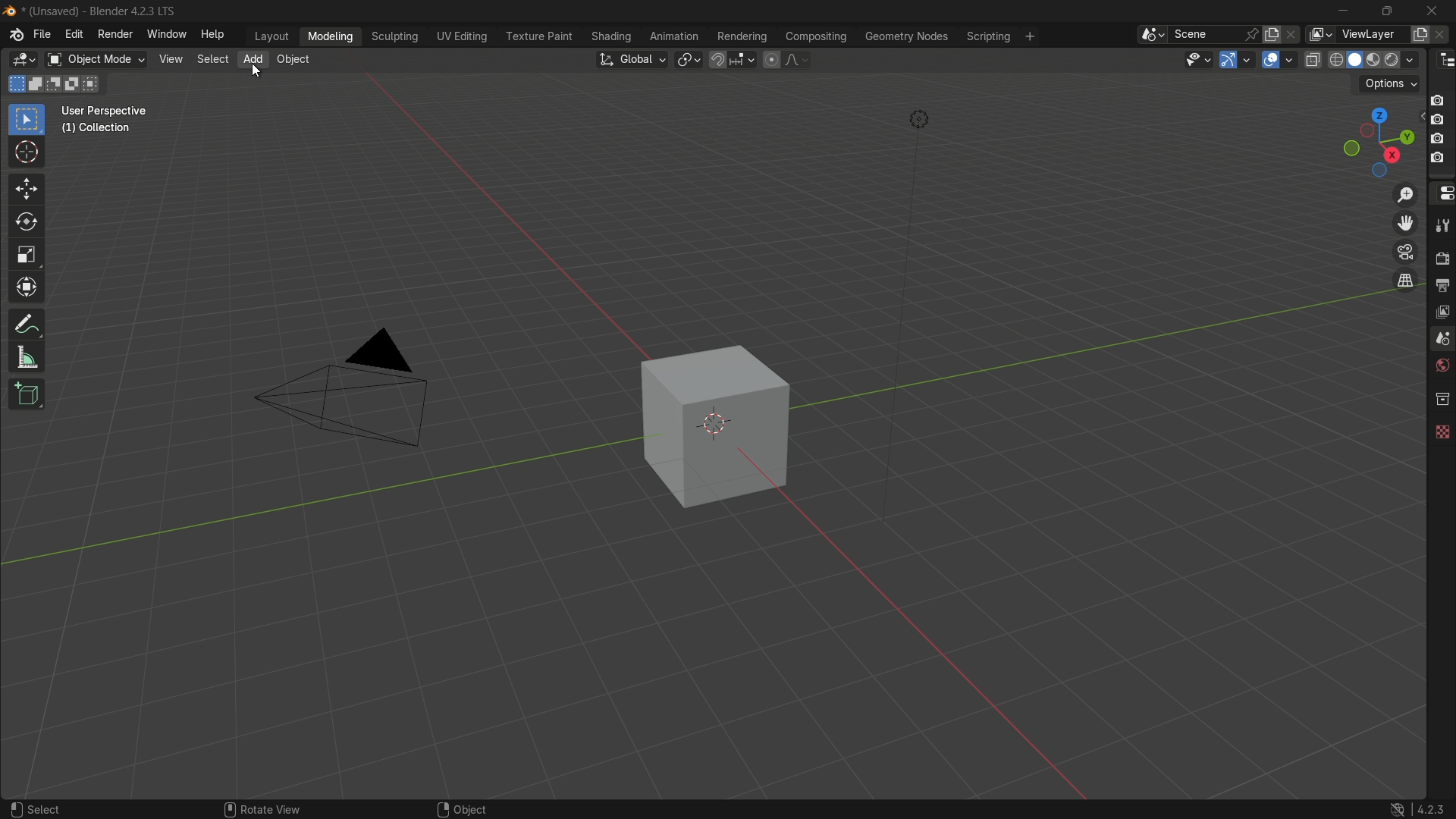 This screenshot has width=1456, height=819. Describe the element at coordinates (293, 61) in the screenshot. I see `object` at that location.